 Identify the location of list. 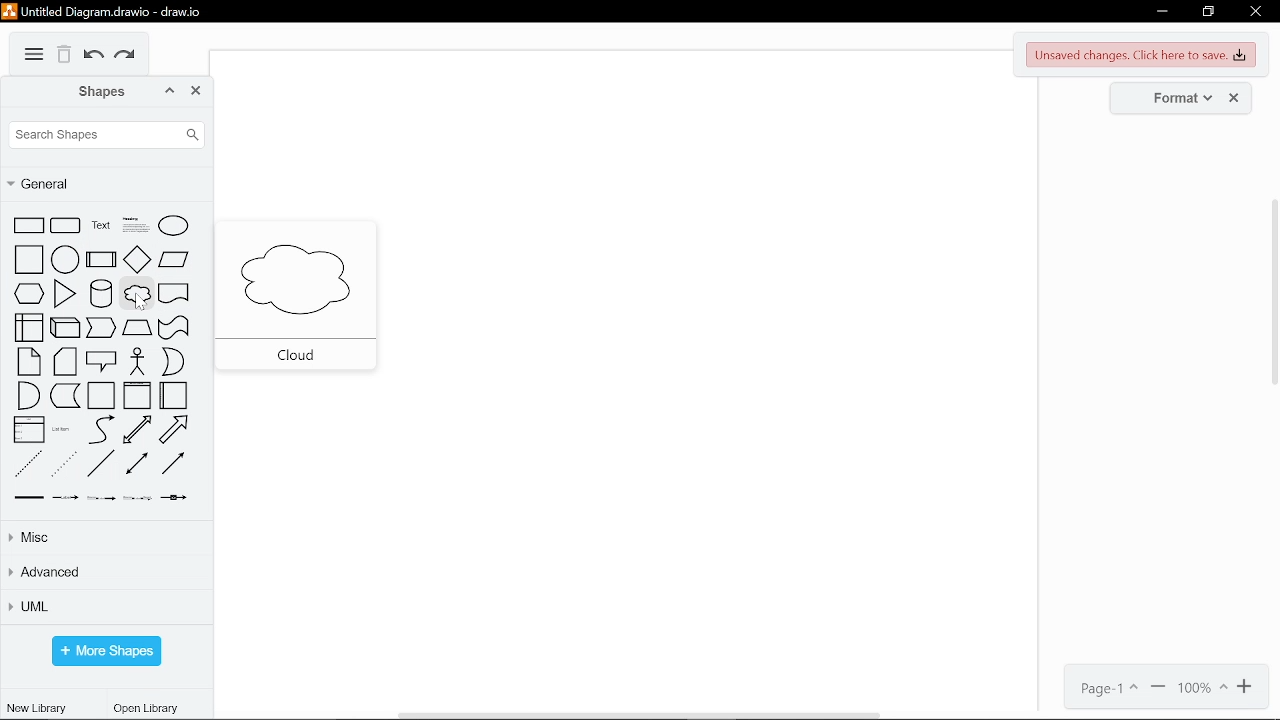
(30, 430).